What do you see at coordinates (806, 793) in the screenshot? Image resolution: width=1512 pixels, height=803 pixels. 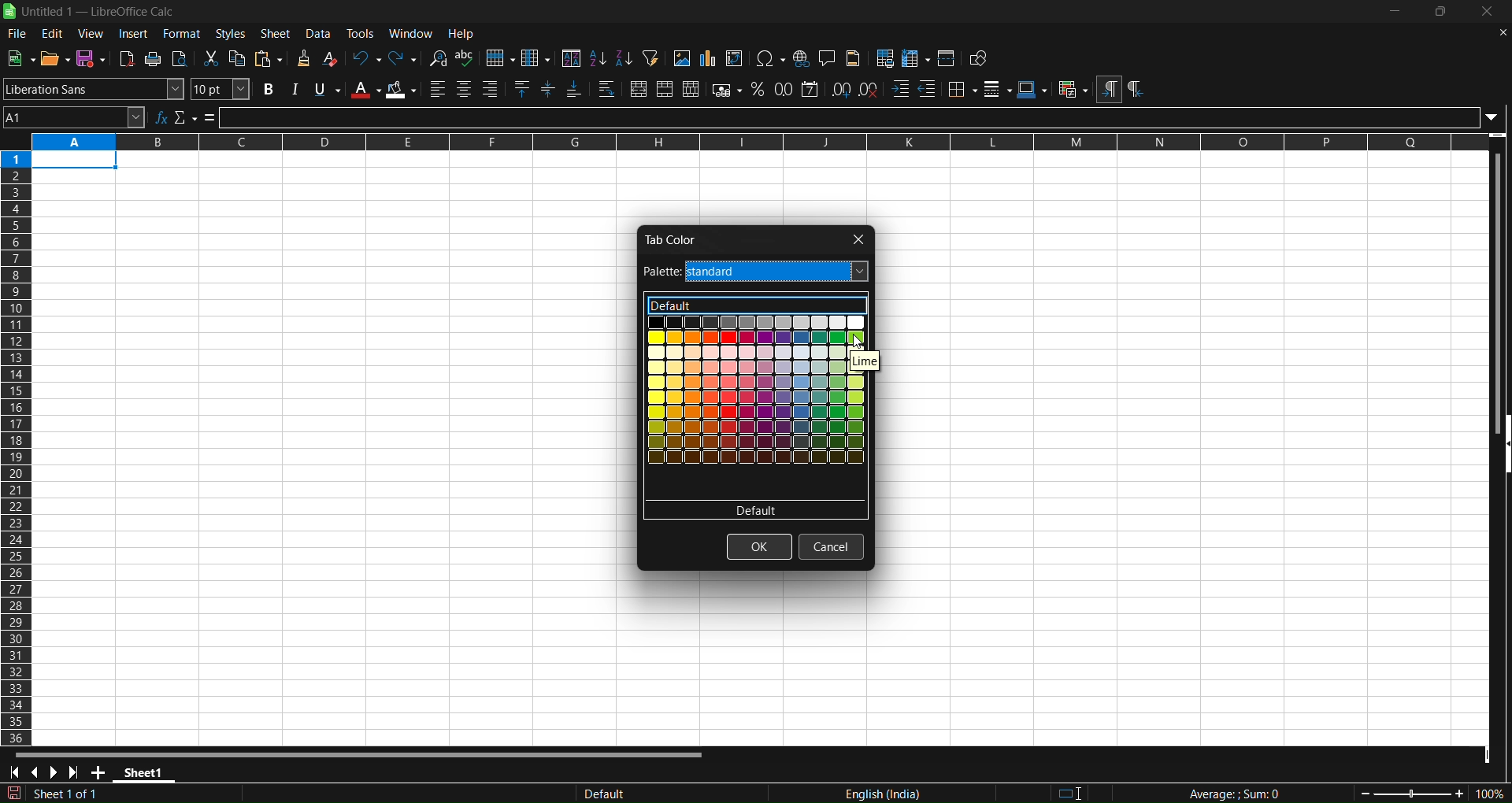 I see `text language` at bounding box center [806, 793].